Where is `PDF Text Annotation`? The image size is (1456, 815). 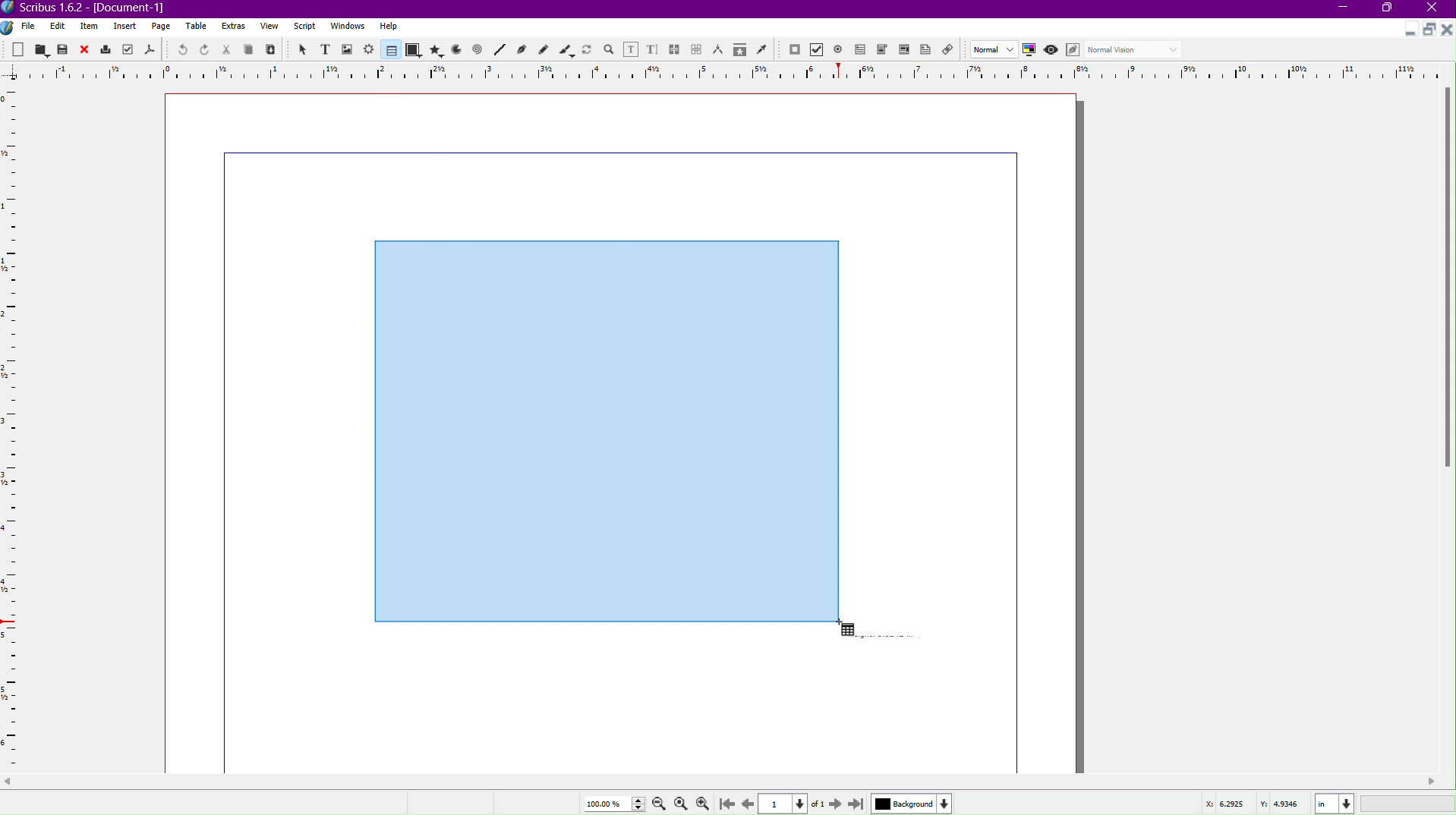
PDF Text Annotation is located at coordinates (928, 52).